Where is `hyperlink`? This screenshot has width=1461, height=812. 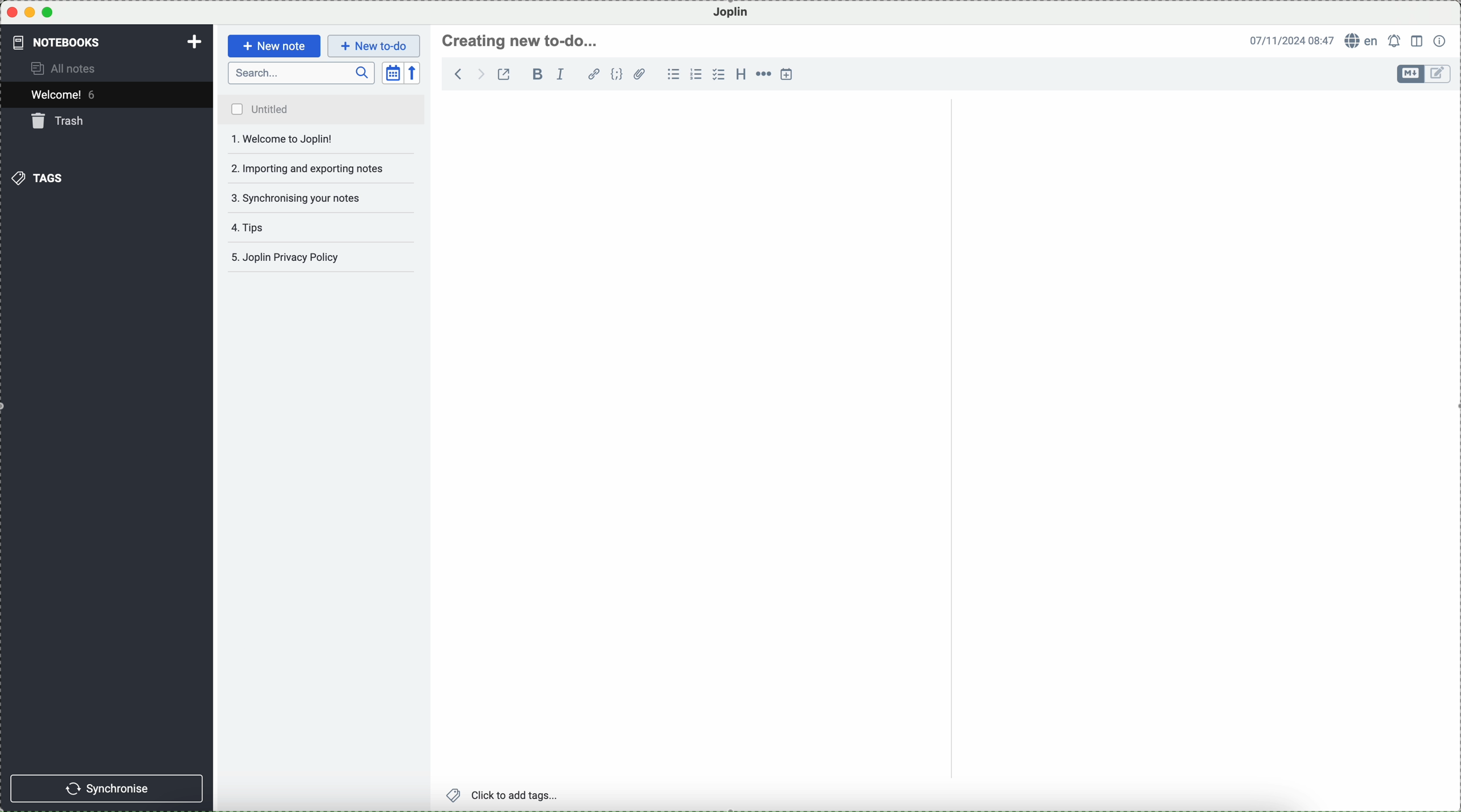 hyperlink is located at coordinates (594, 74).